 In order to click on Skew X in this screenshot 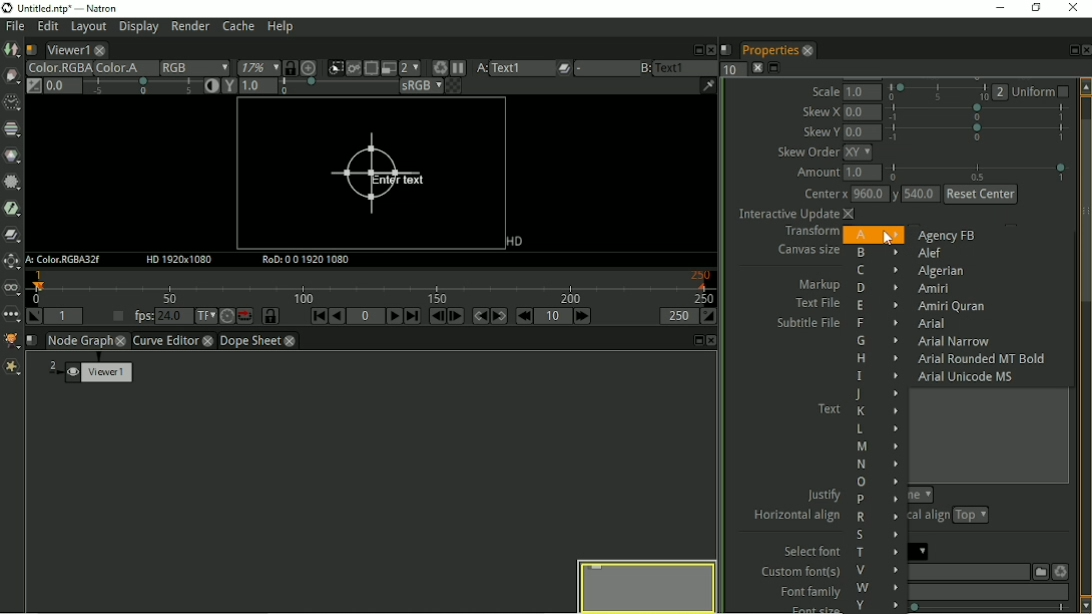, I will do `click(821, 111)`.